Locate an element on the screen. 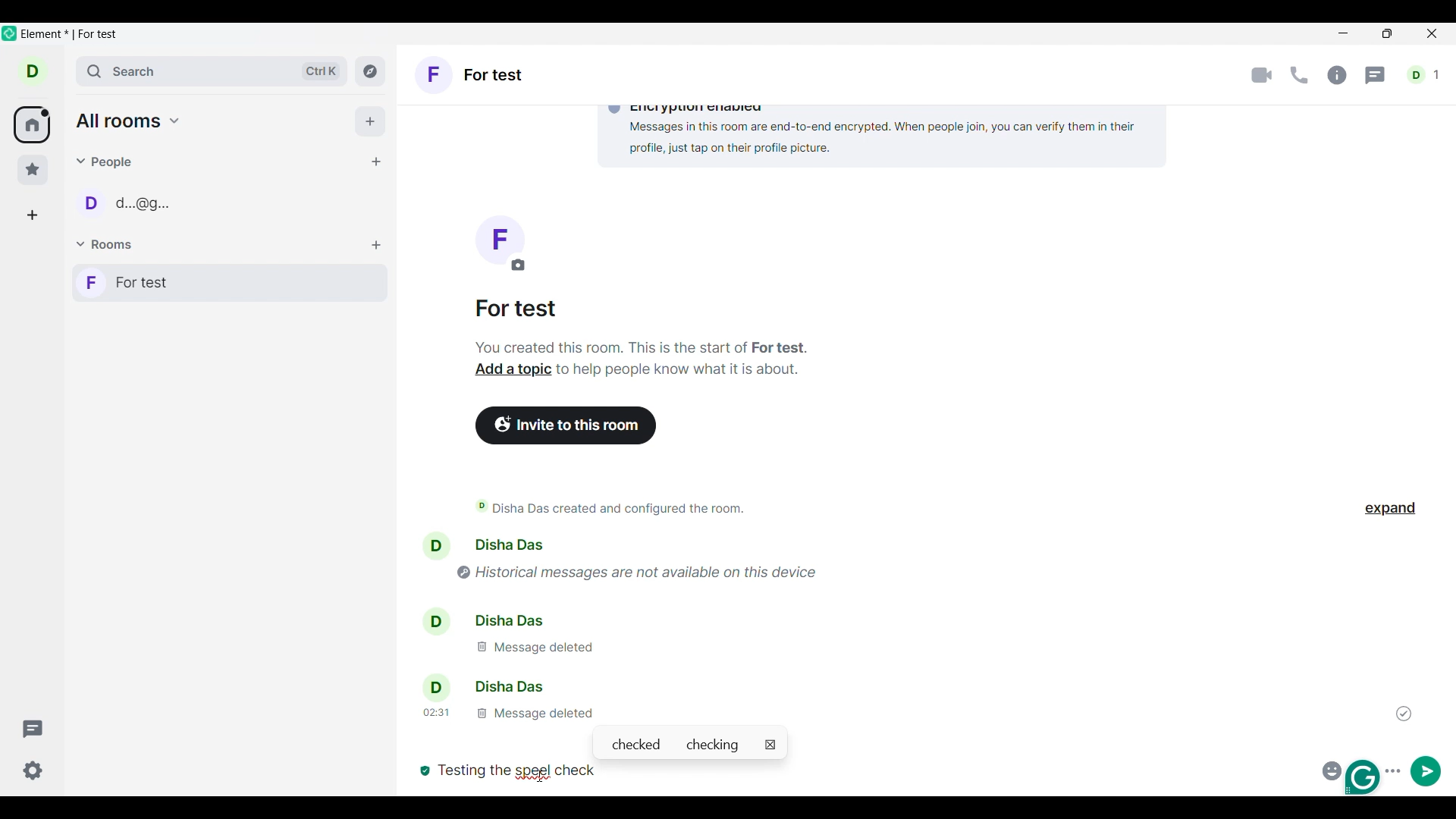 This screenshot has width=1456, height=819. to help people know what it is about is located at coordinates (680, 373).